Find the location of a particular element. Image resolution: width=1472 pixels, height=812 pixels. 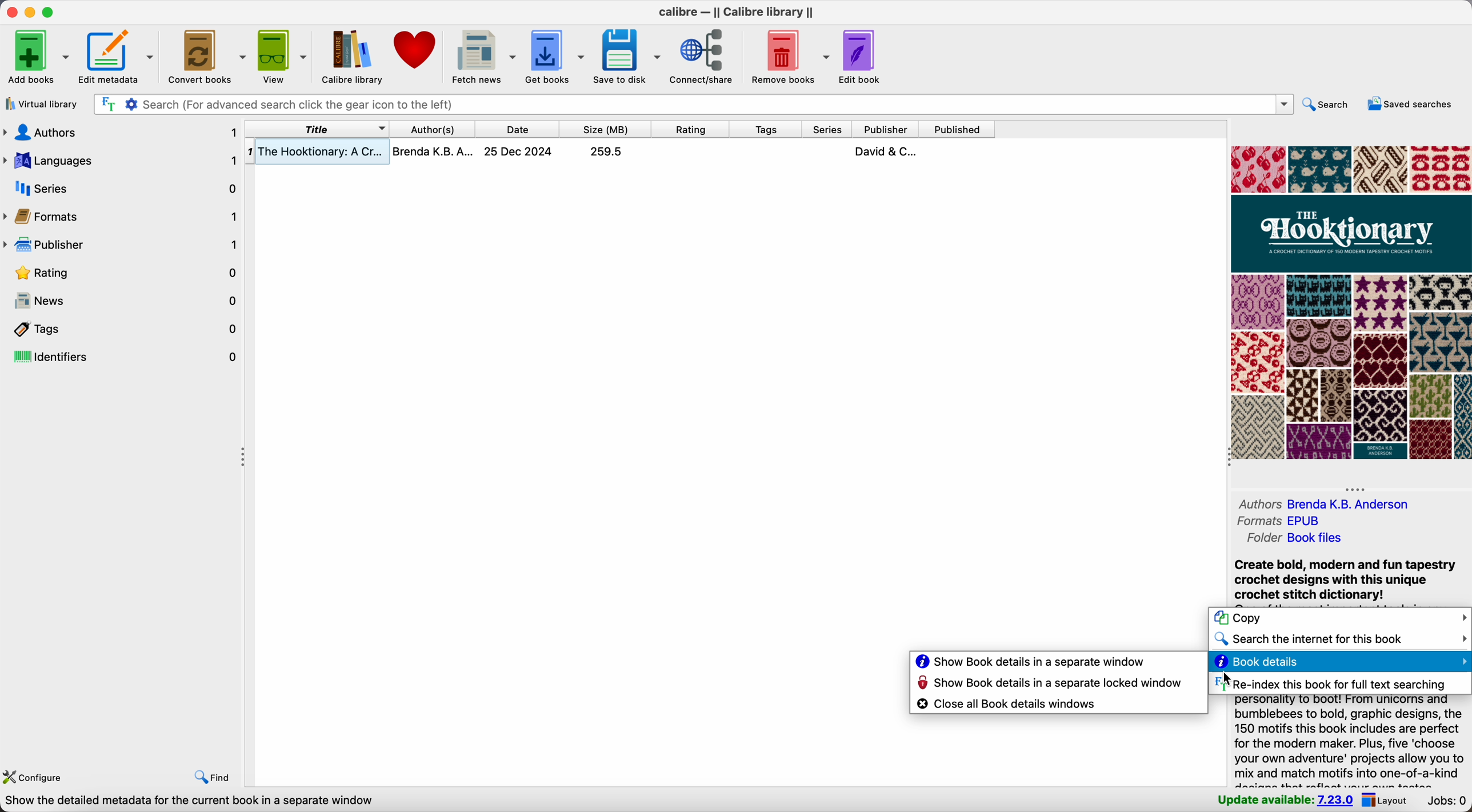

remove books is located at coordinates (787, 58).